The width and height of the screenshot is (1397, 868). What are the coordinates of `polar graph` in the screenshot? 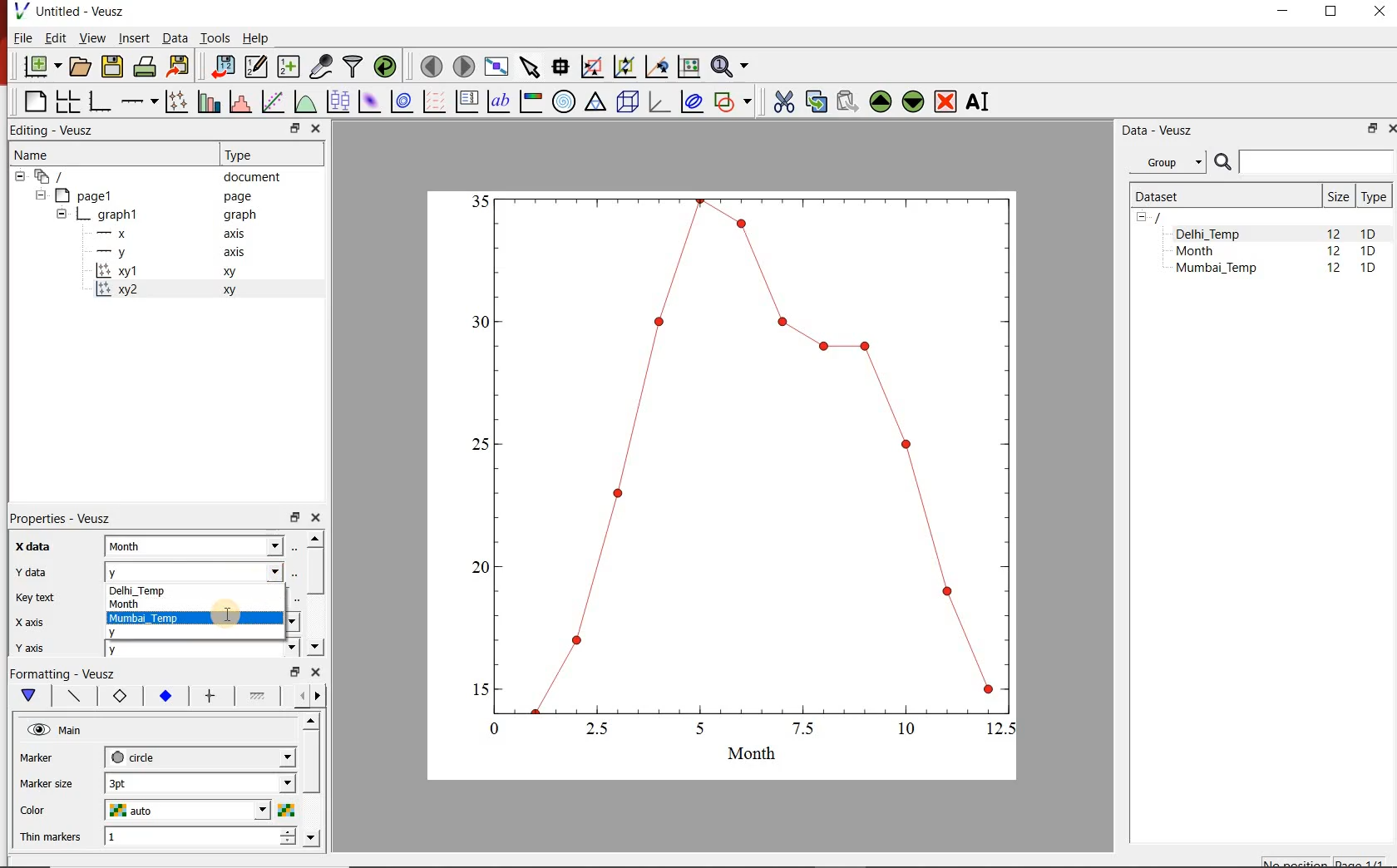 It's located at (565, 103).